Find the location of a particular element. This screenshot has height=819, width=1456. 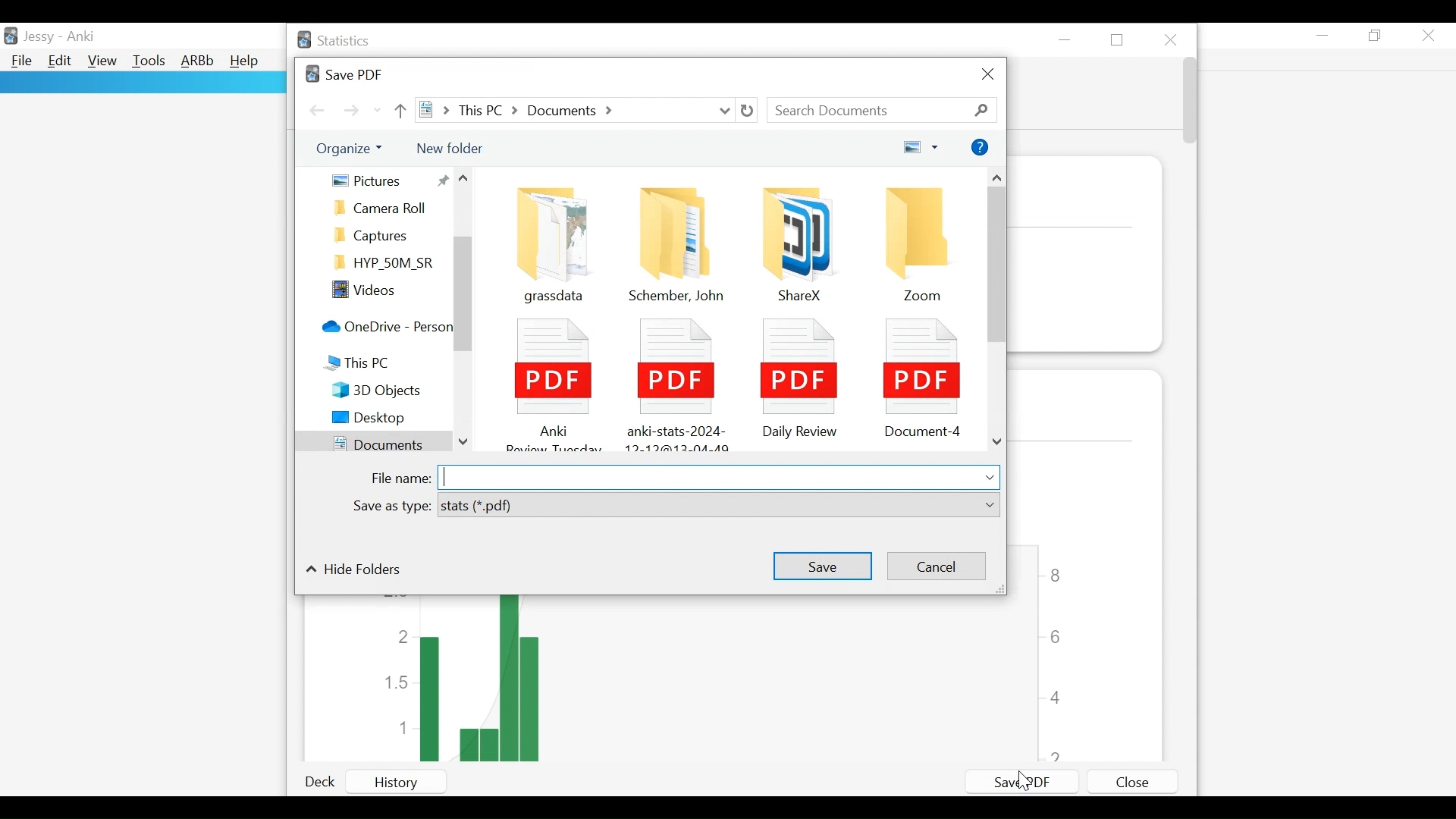

Video is located at coordinates (385, 291).